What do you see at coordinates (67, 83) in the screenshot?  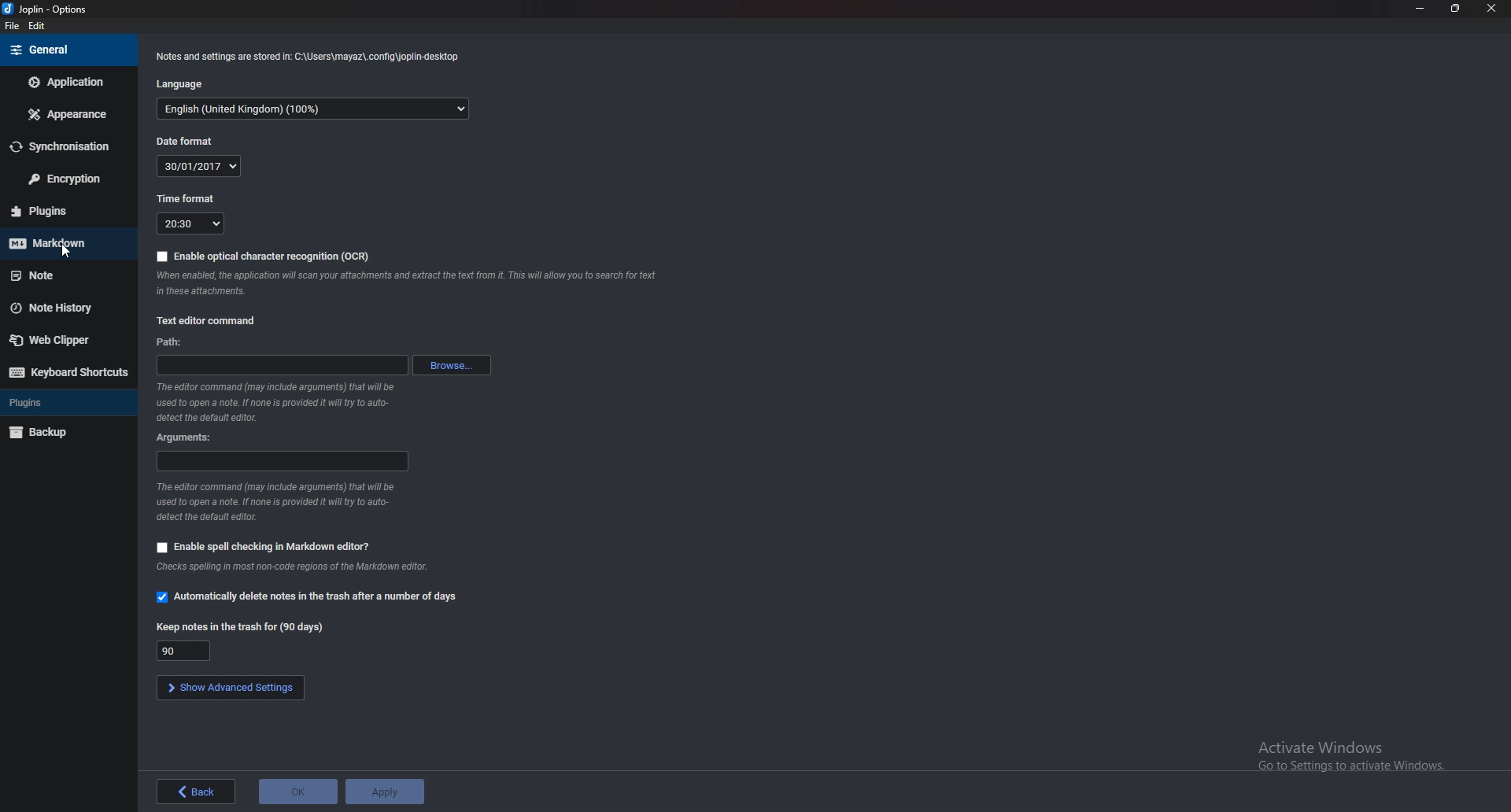 I see `Application` at bounding box center [67, 83].